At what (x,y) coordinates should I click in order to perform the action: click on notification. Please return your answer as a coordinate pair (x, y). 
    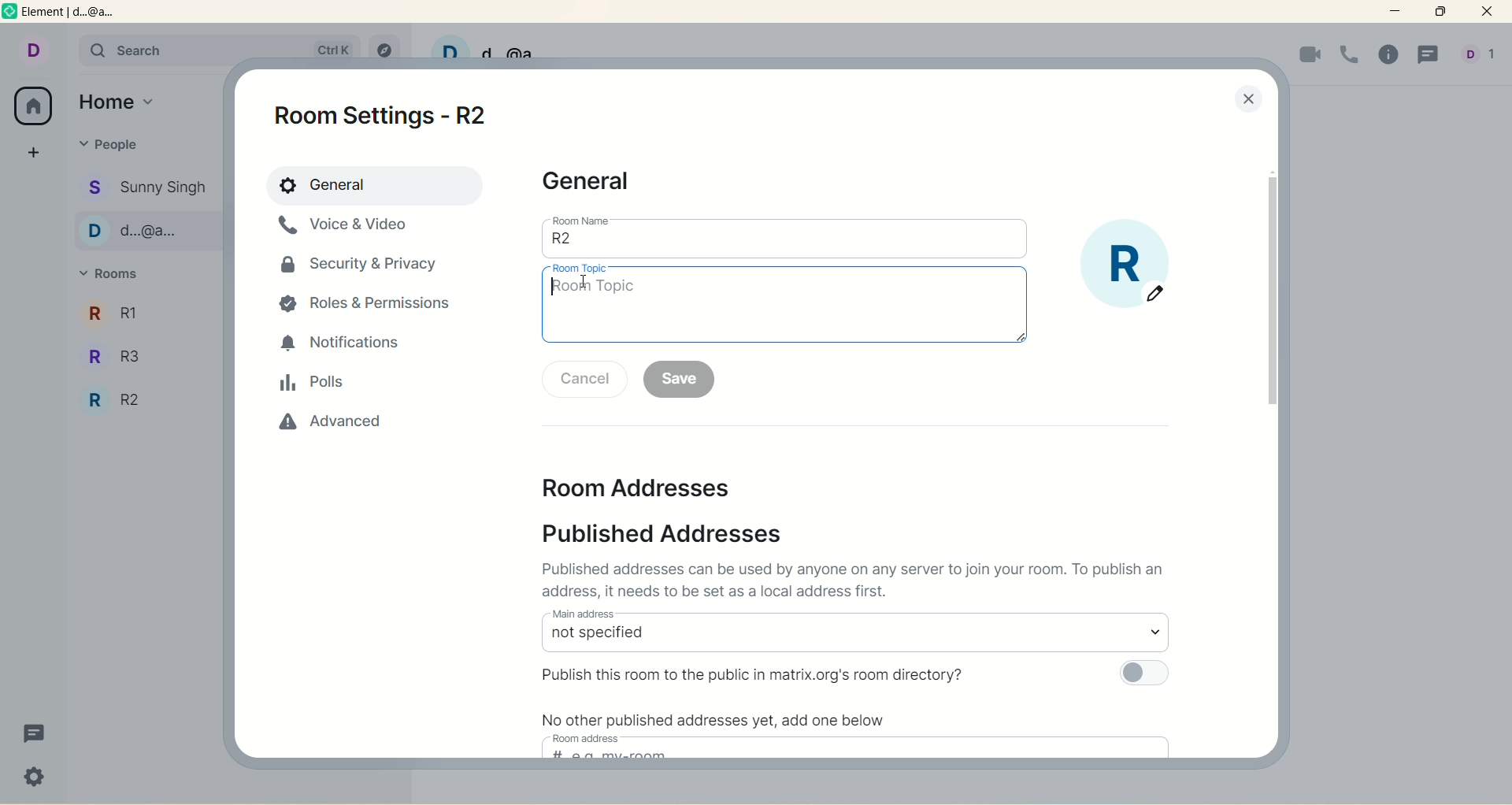
    Looking at the image, I should click on (344, 344).